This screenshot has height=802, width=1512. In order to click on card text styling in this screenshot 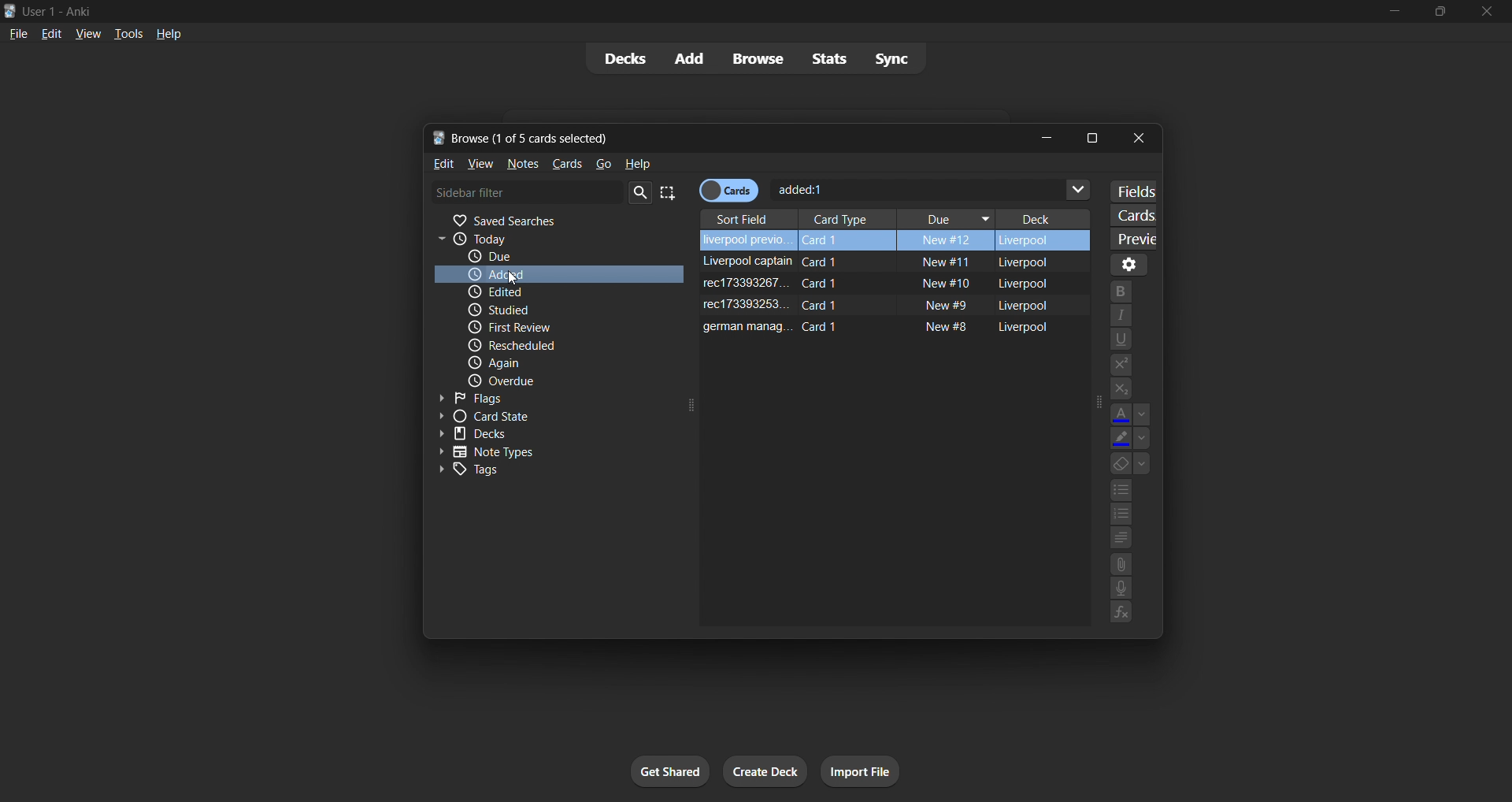, I will do `click(1128, 452)`.